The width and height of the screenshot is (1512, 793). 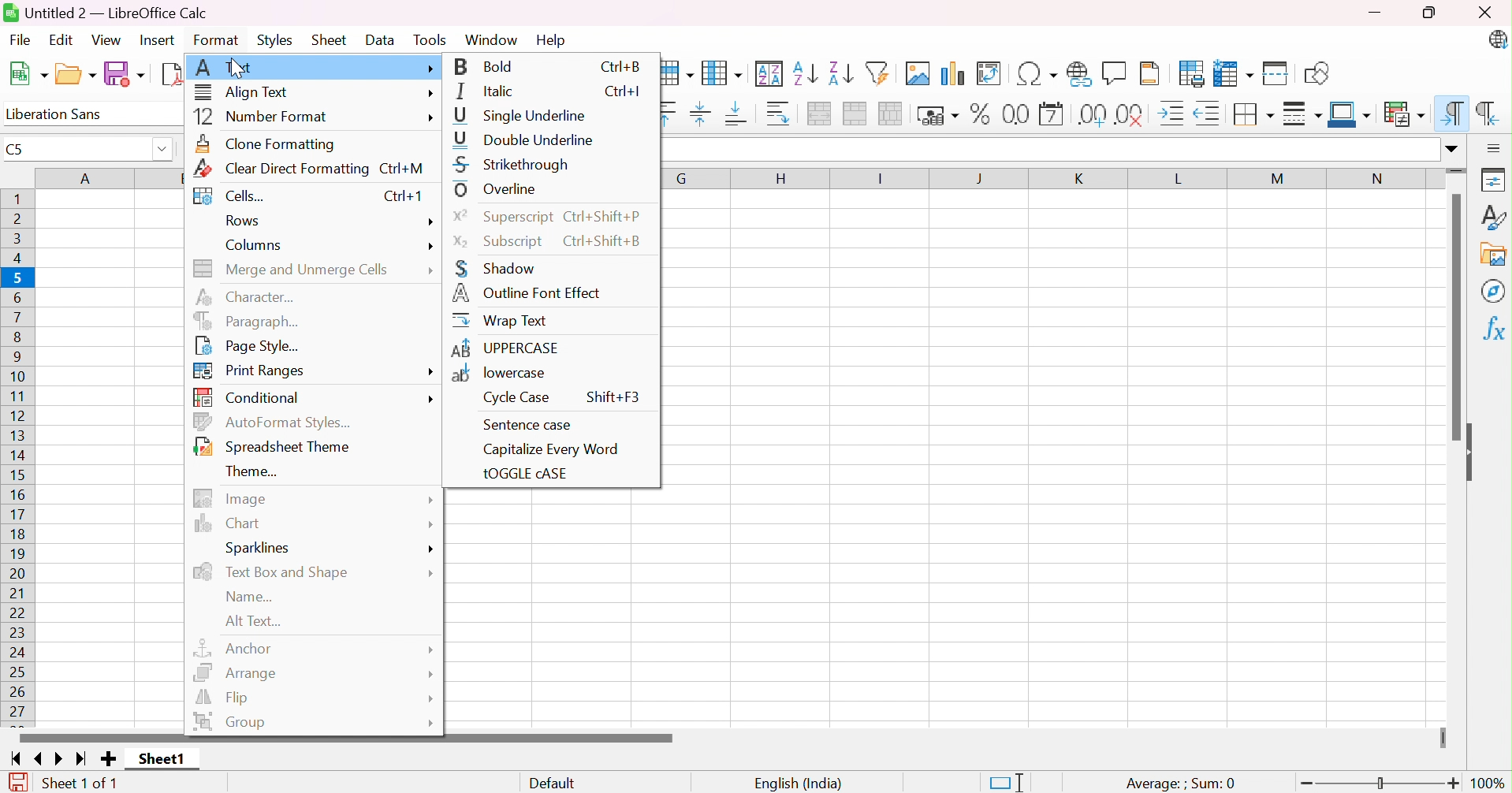 I want to click on Decrease Indent, so click(x=1210, y=114).